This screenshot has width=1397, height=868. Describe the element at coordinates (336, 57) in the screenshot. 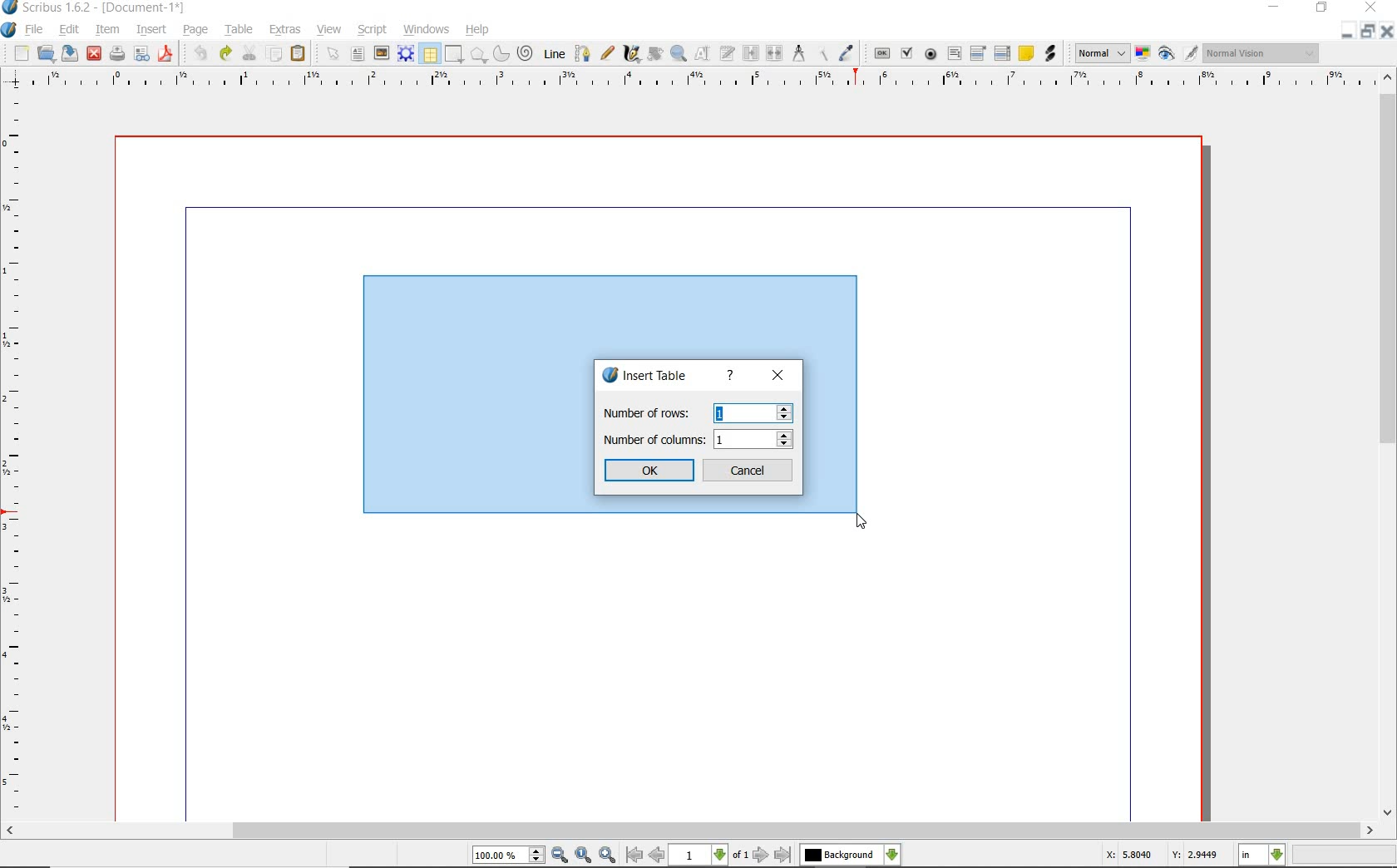

I see `select` at that location.